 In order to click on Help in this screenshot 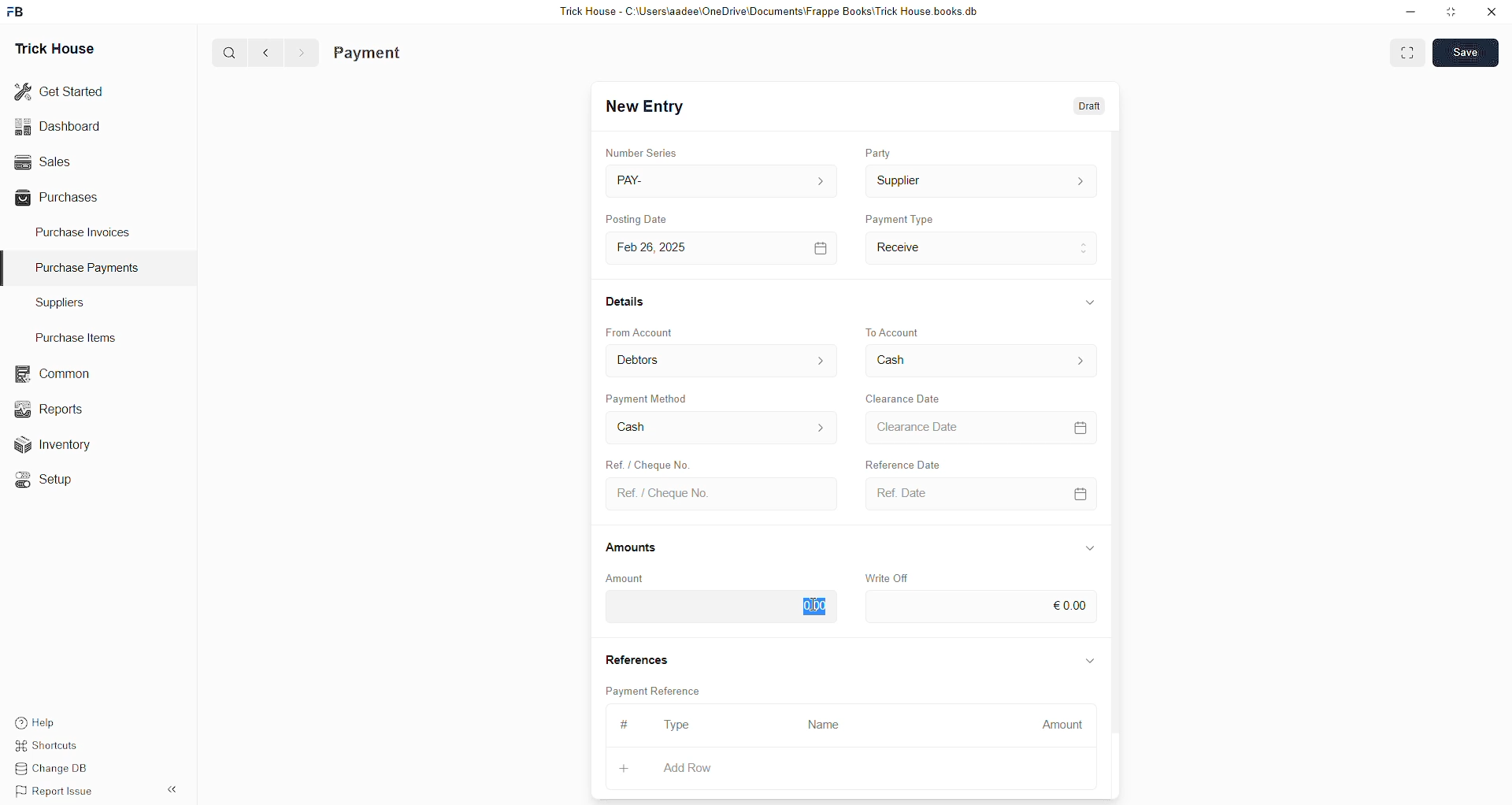, I will do `click(35, 723)`.